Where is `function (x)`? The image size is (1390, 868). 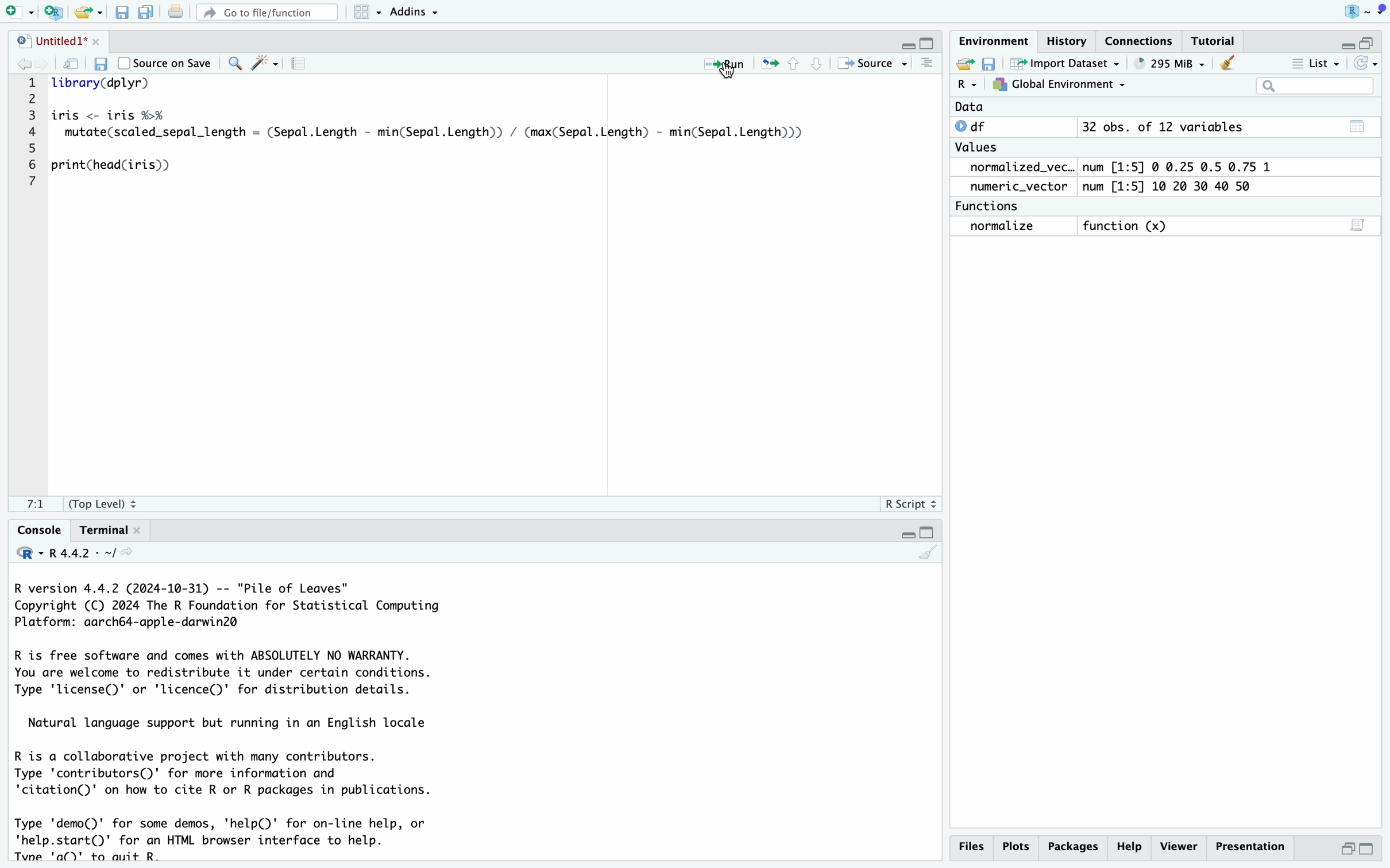 function (x) is located at coordinates (1129, 227).